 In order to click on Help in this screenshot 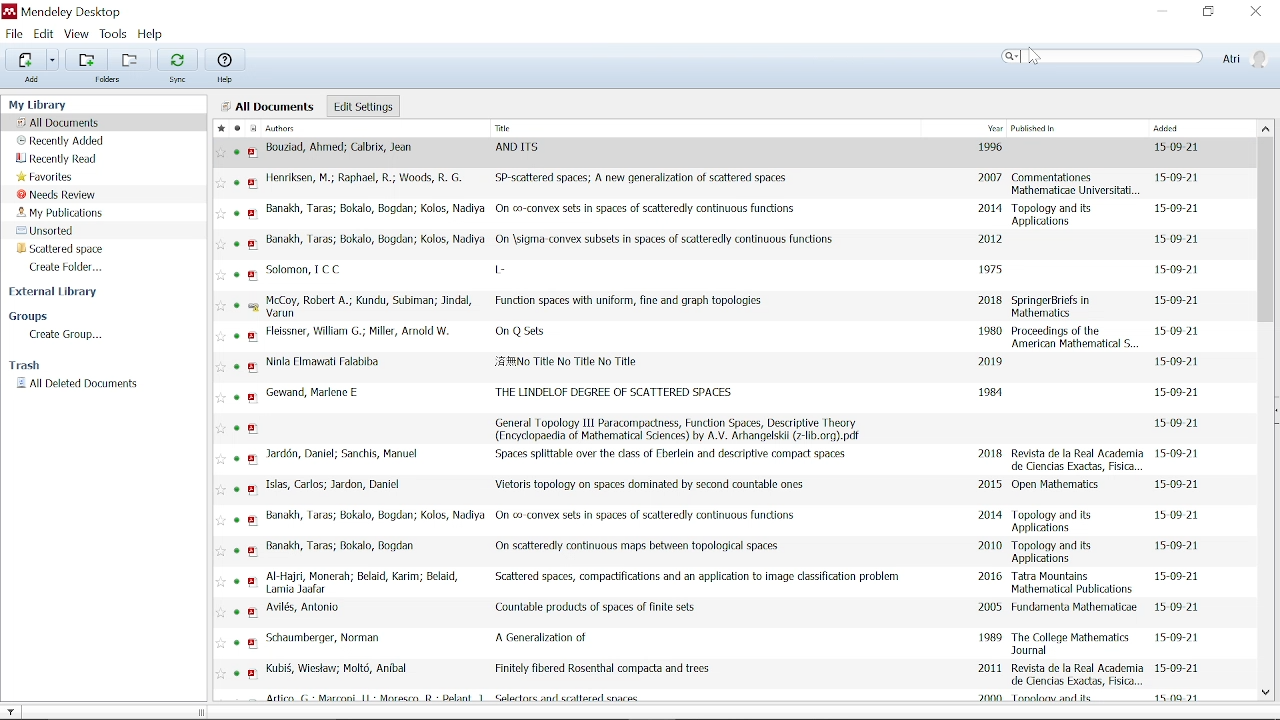, I will do `click(154, 33)`.